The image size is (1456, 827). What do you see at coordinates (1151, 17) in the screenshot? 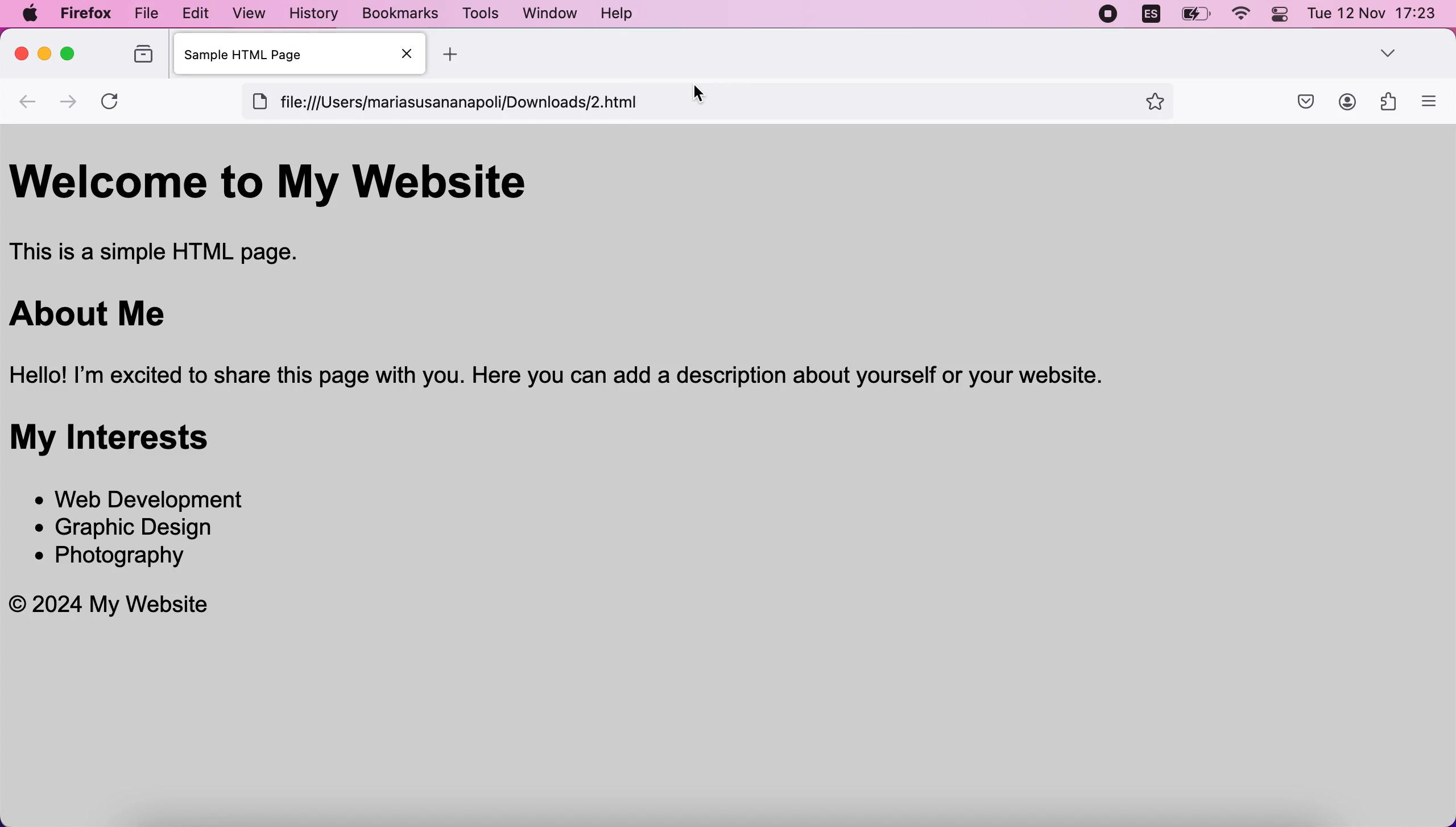
I see `language` at bounding box center [1151, 17].